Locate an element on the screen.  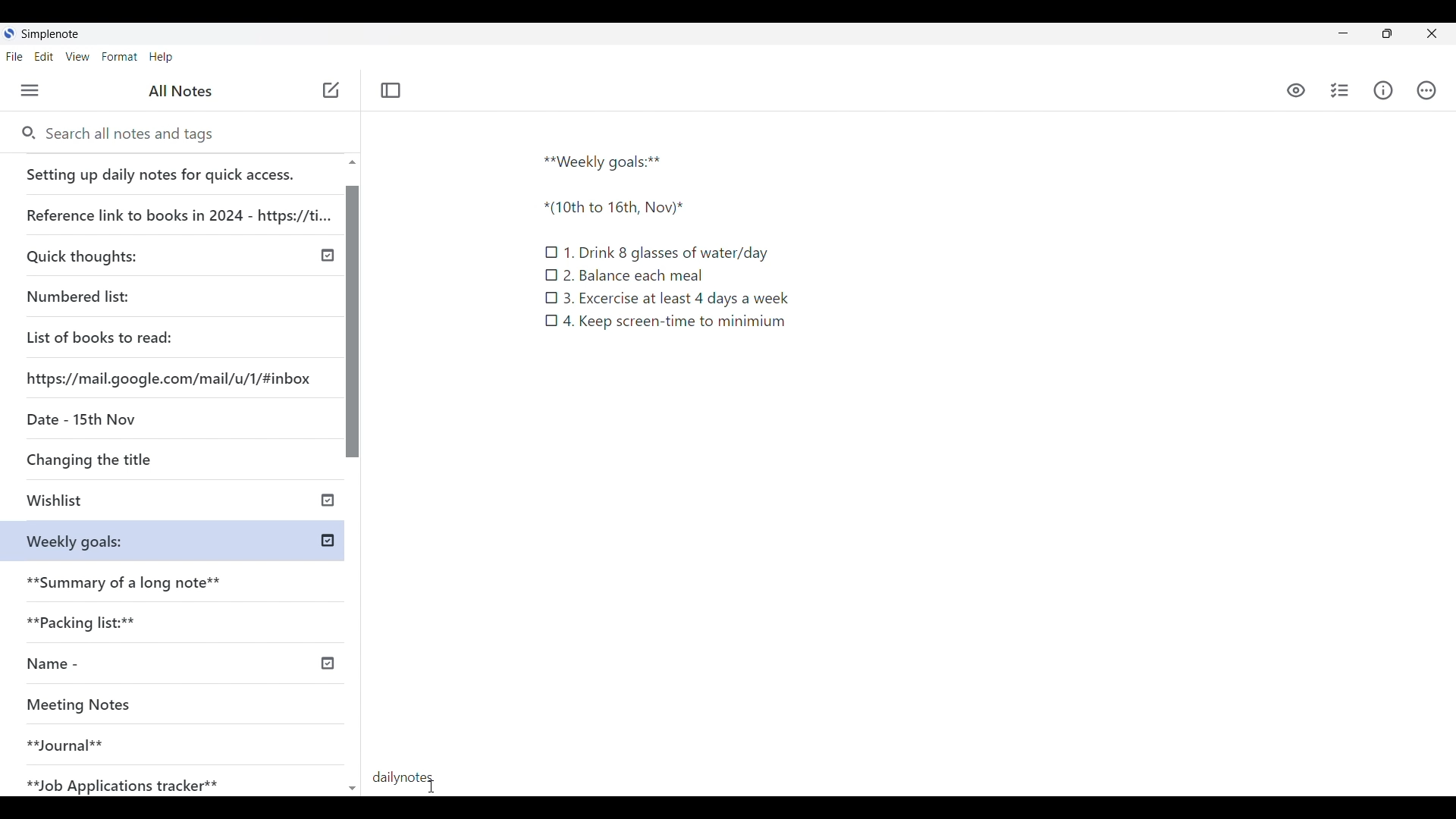
Cursor position unchanged is located at coordinates (331, 91).